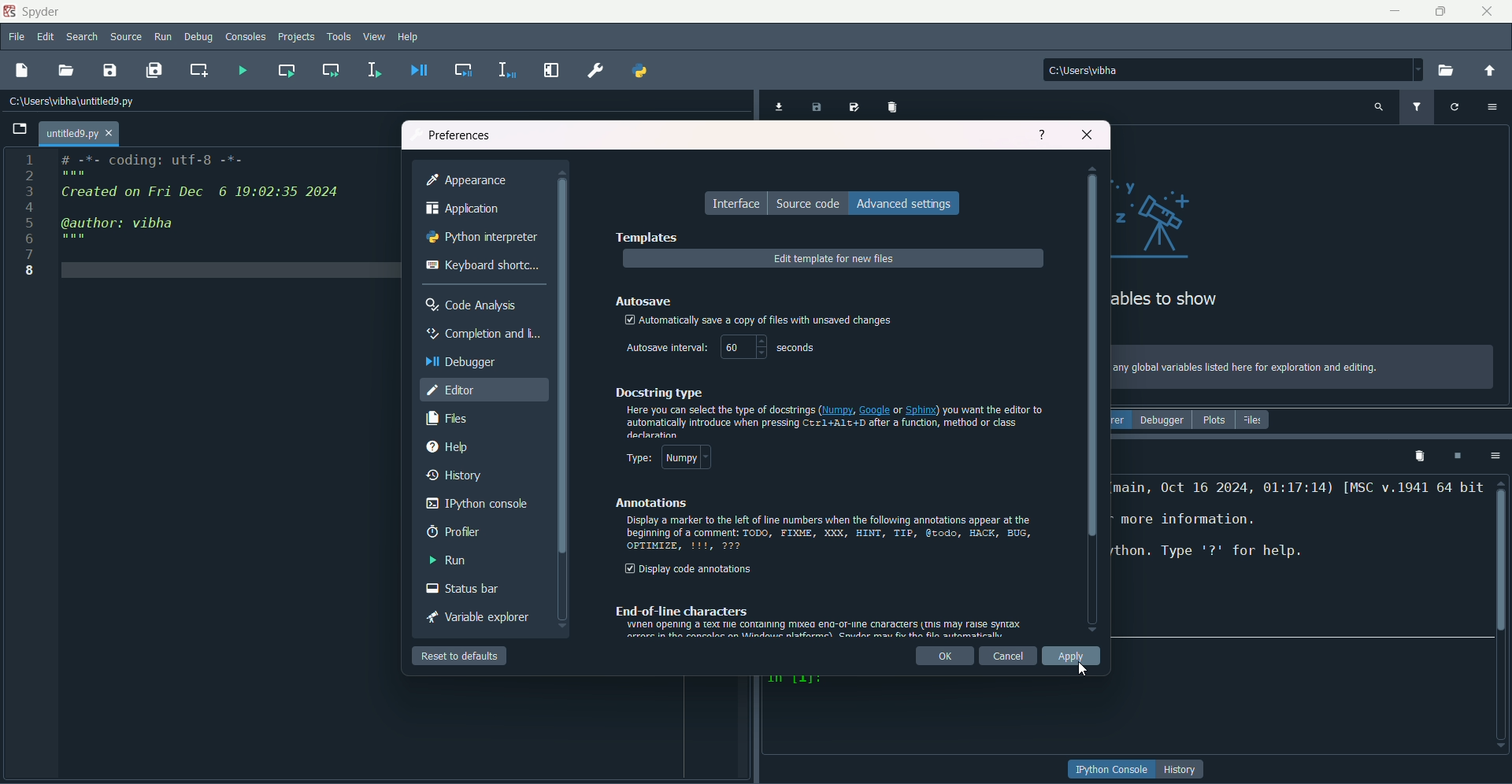 The height and width of the screenshot is (784, 1512). Describe the element at coordinates (1169, 300) in the screenshot. I see `text` at that location.